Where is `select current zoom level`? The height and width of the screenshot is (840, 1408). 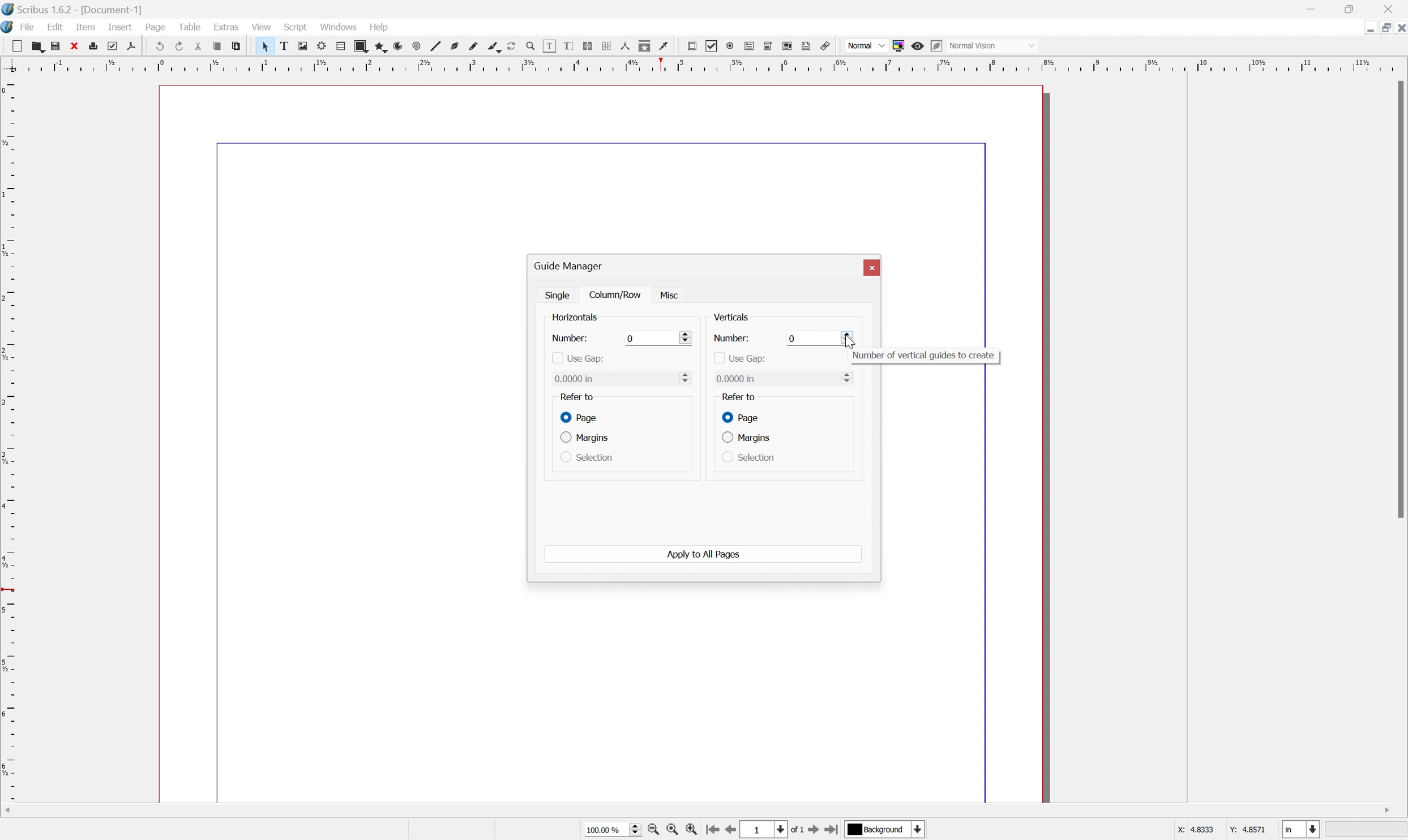
select current zoom level is located at coordinates (613, 830).